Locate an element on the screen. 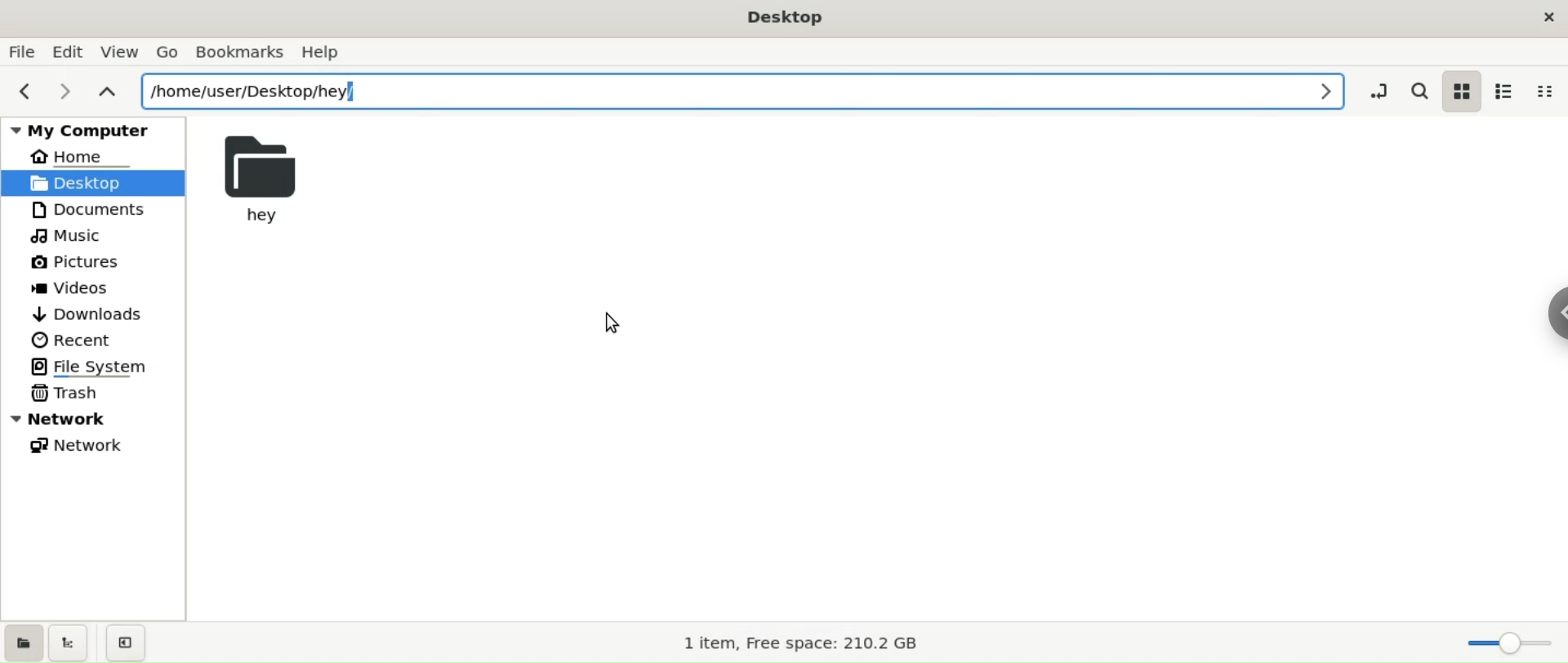 The height and width of the screenshot is (663, 1568). show tree view is located at coordinates (72, 644).